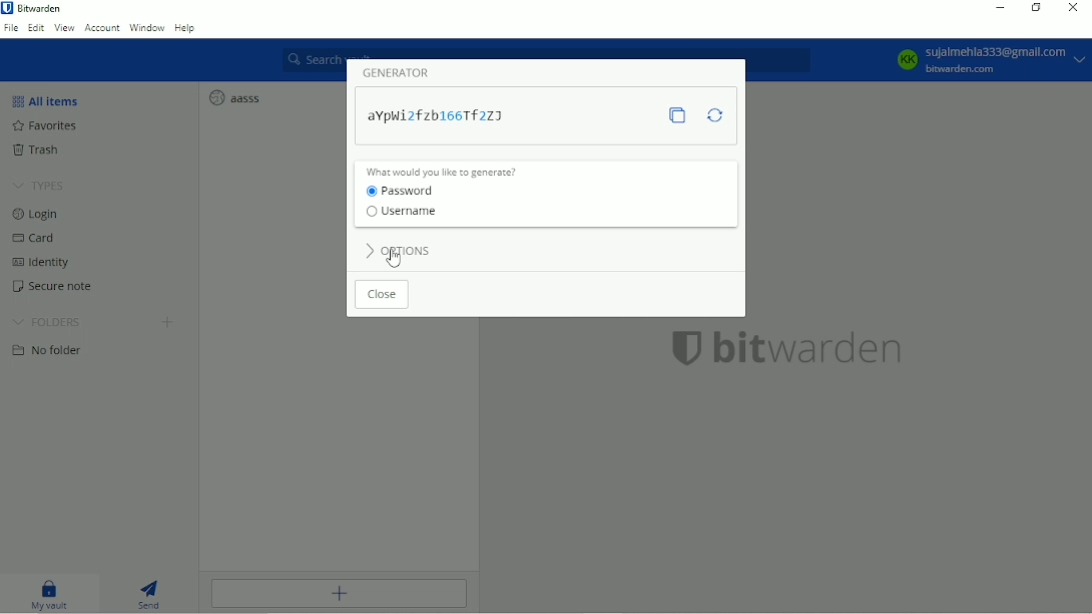 This screenshot has width=1092, height=614. I want to click on Minimize, so click(1001, 7).